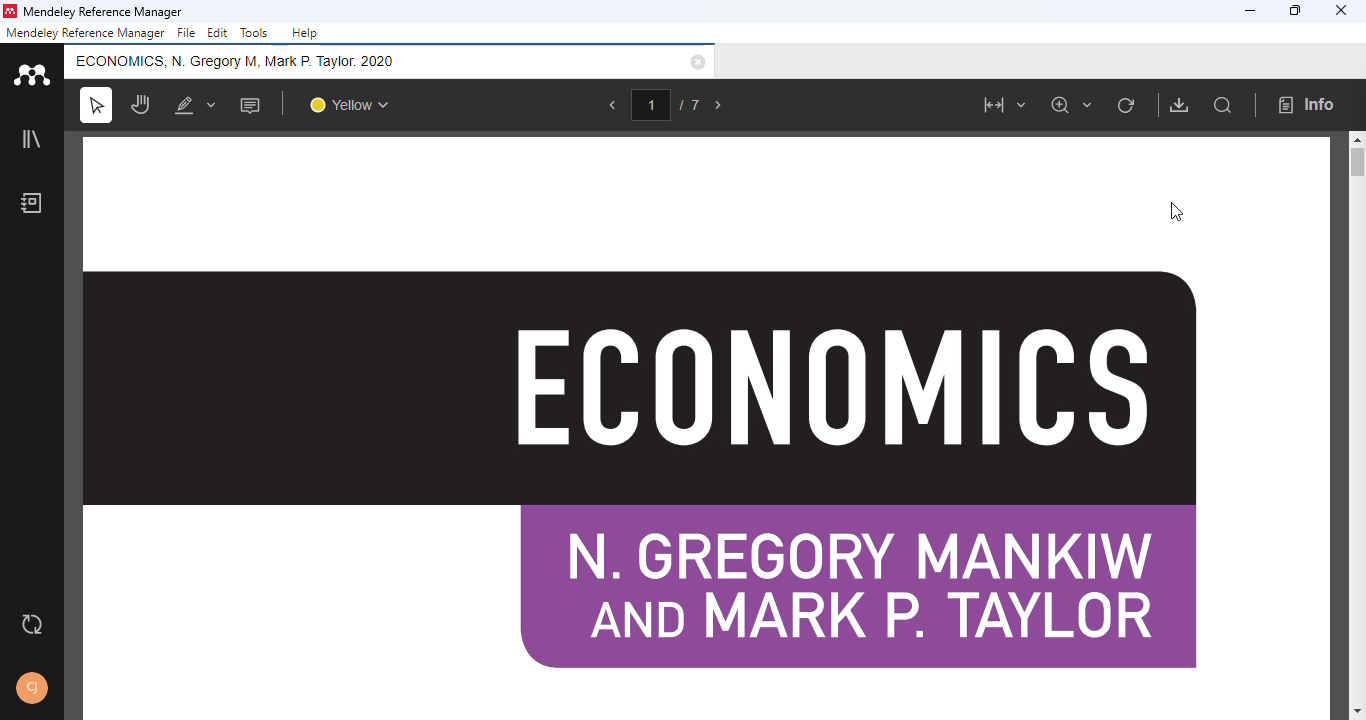  Describe the element at coordinates (706, 428) in the screenshot. I see `PDF ` at that location.